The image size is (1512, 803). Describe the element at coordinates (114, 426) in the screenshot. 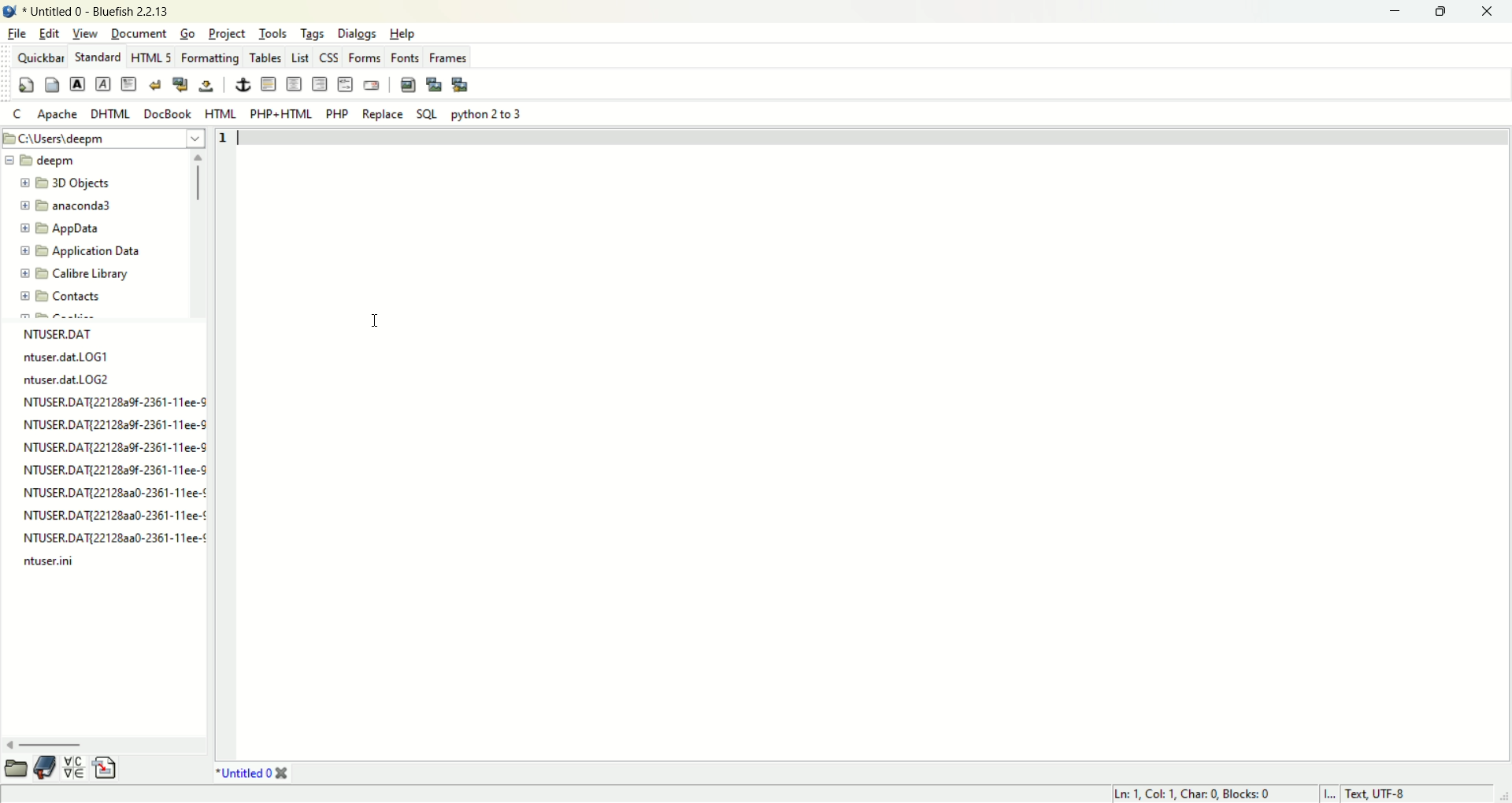

I see `NTUSER.DAT{22128a9f-2361-11ee-9` at that location.